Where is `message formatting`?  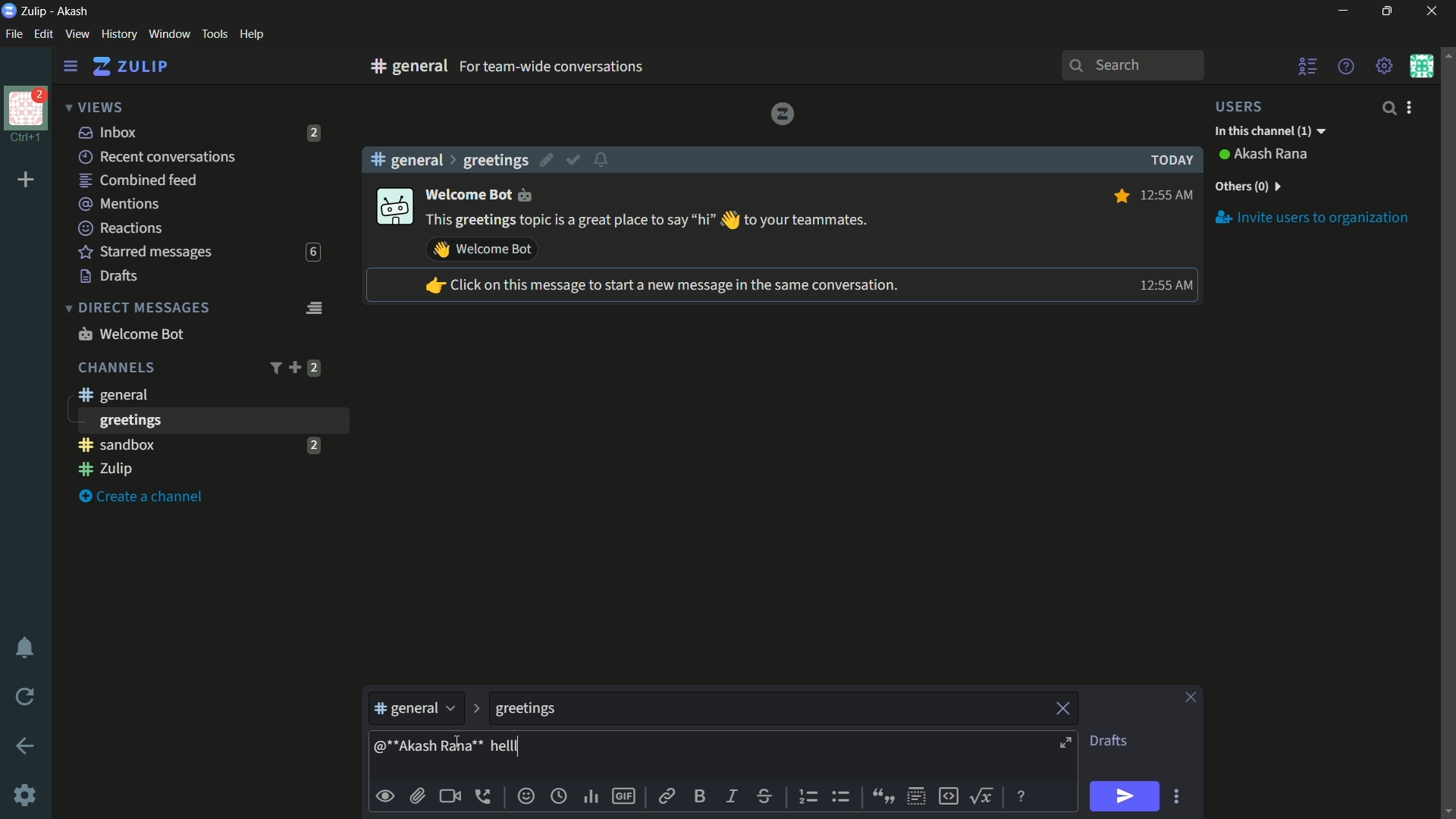
message formatting is located at coordinates (1023, 795).